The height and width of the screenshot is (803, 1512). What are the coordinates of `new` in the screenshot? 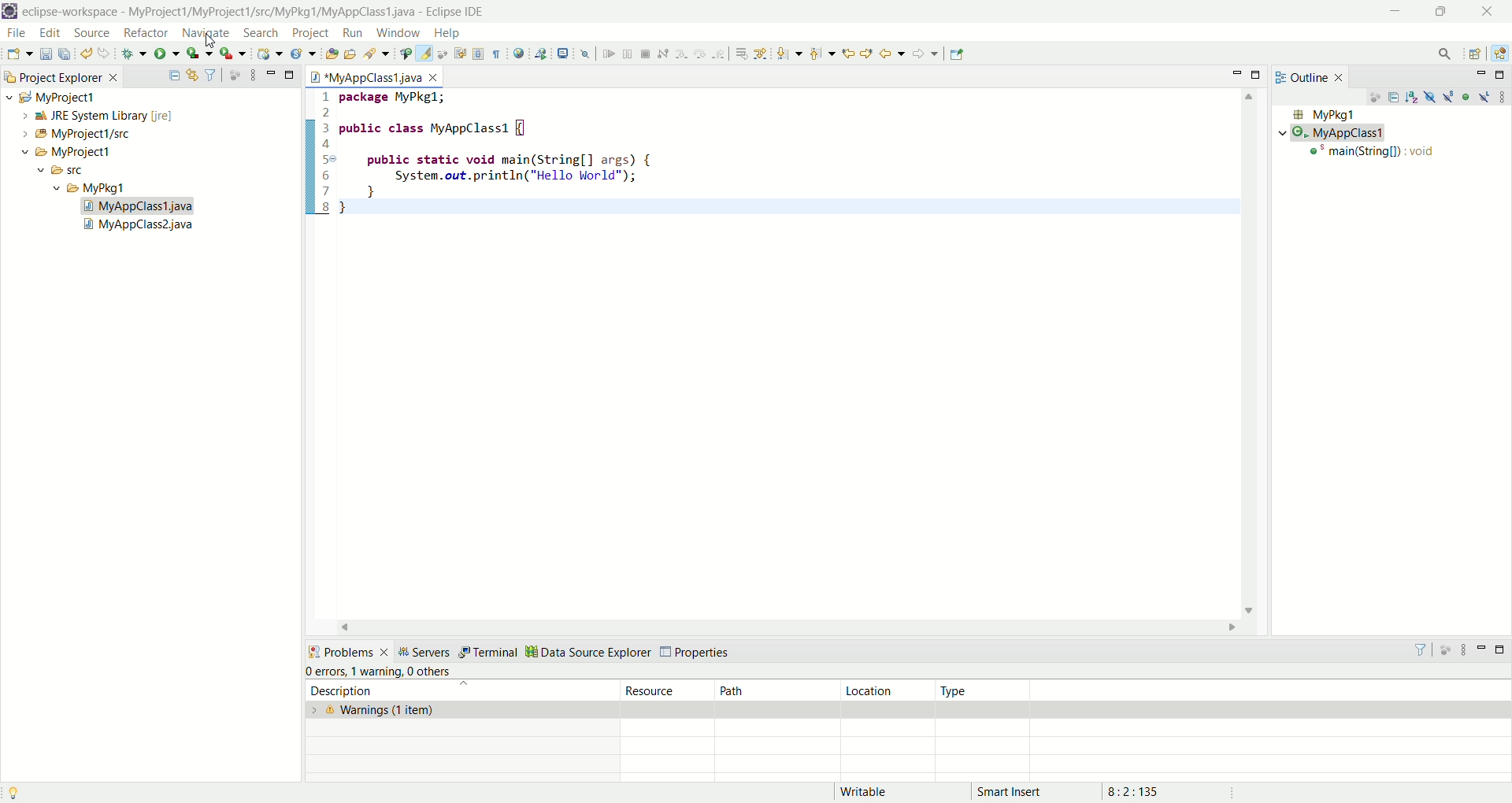 It's located at (19, 54).